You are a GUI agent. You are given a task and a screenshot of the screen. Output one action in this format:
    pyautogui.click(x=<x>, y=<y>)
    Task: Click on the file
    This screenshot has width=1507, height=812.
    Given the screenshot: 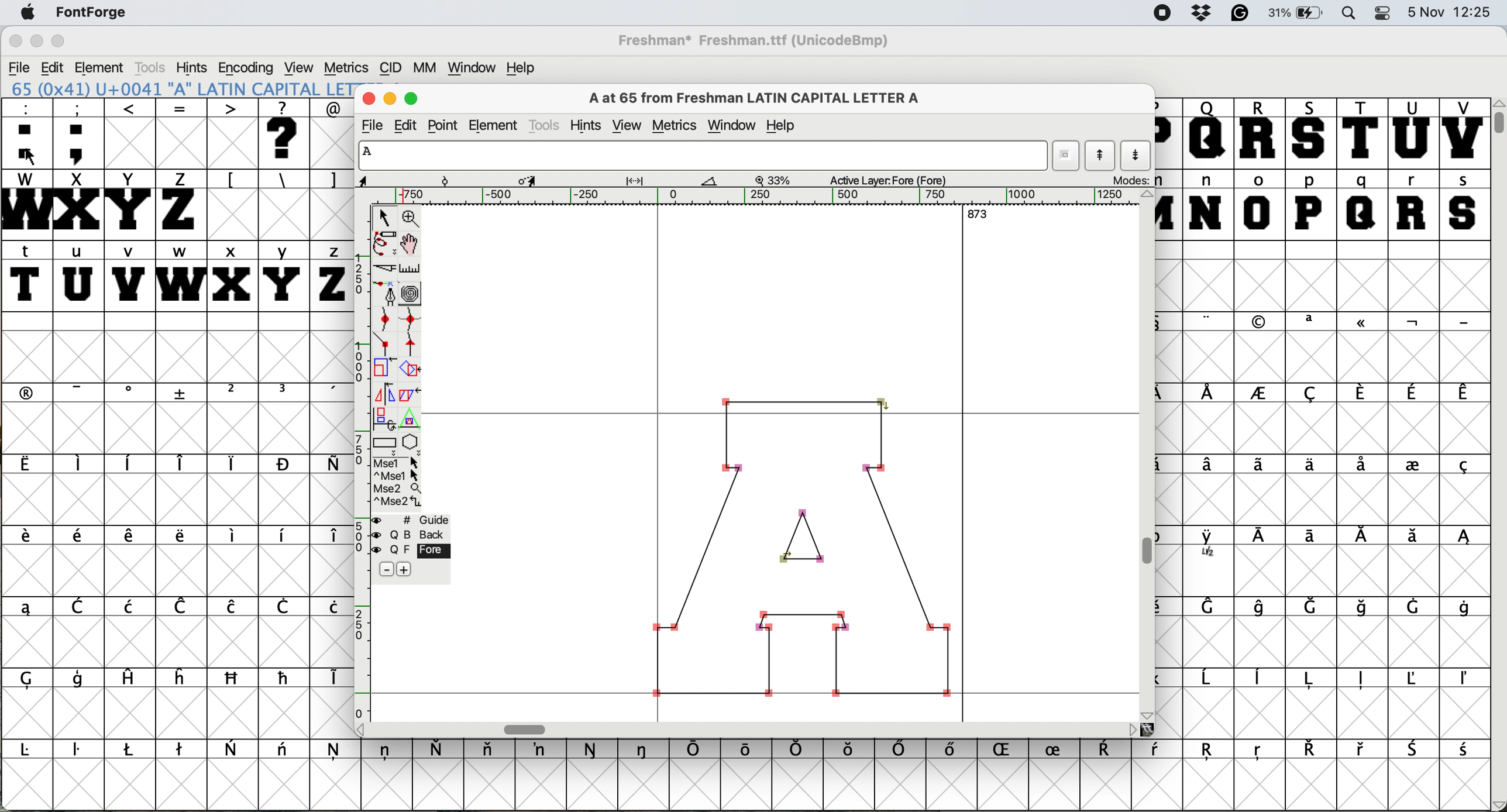 What is the action you would take?
    pyautogui.click(x=371, y=124)
    